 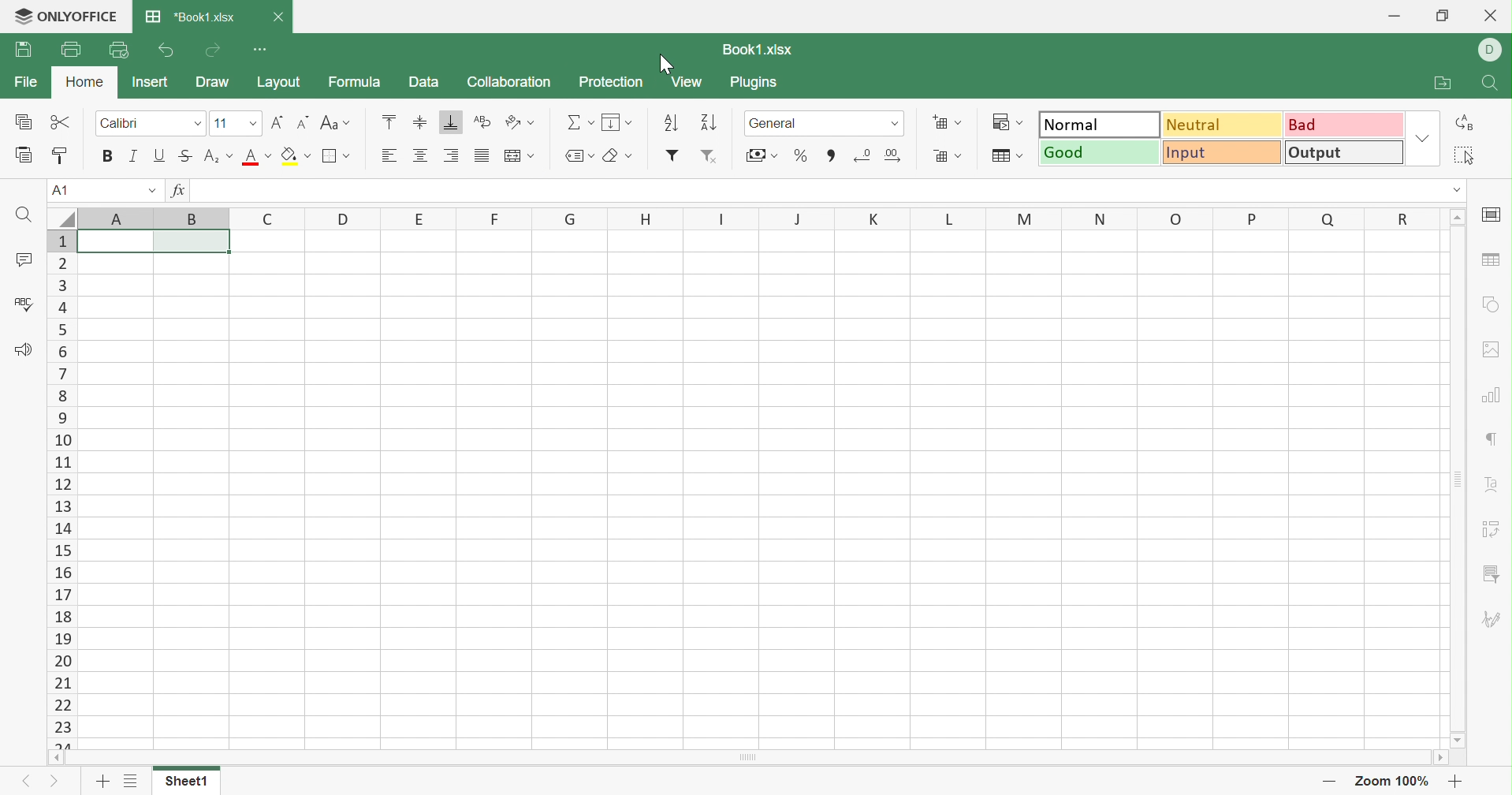 I want to click on Bold, so click(x=106, y=156).